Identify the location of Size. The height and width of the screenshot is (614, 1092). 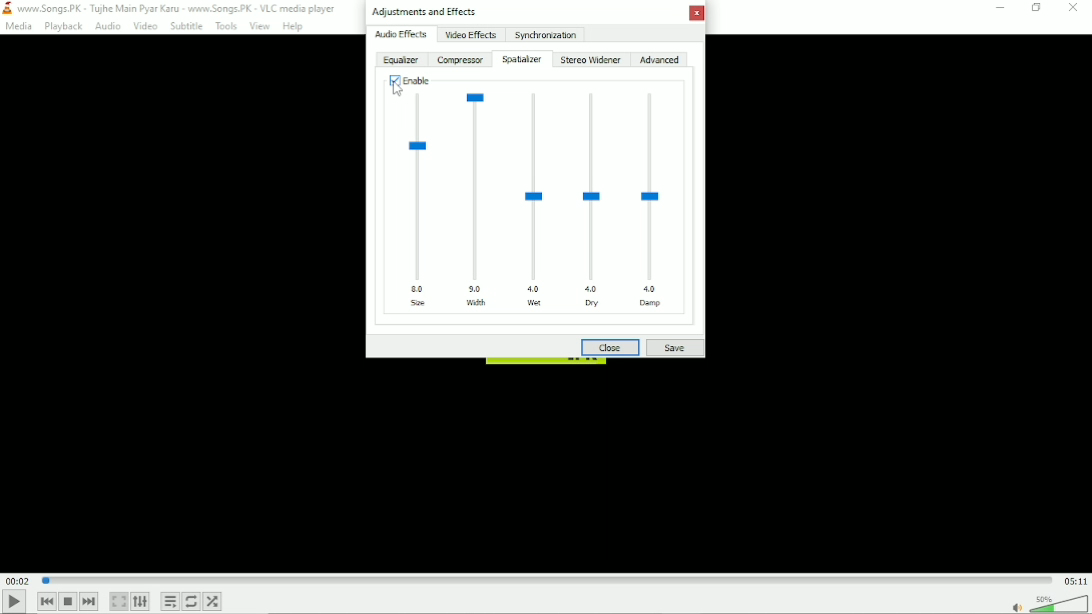
(420, 201).